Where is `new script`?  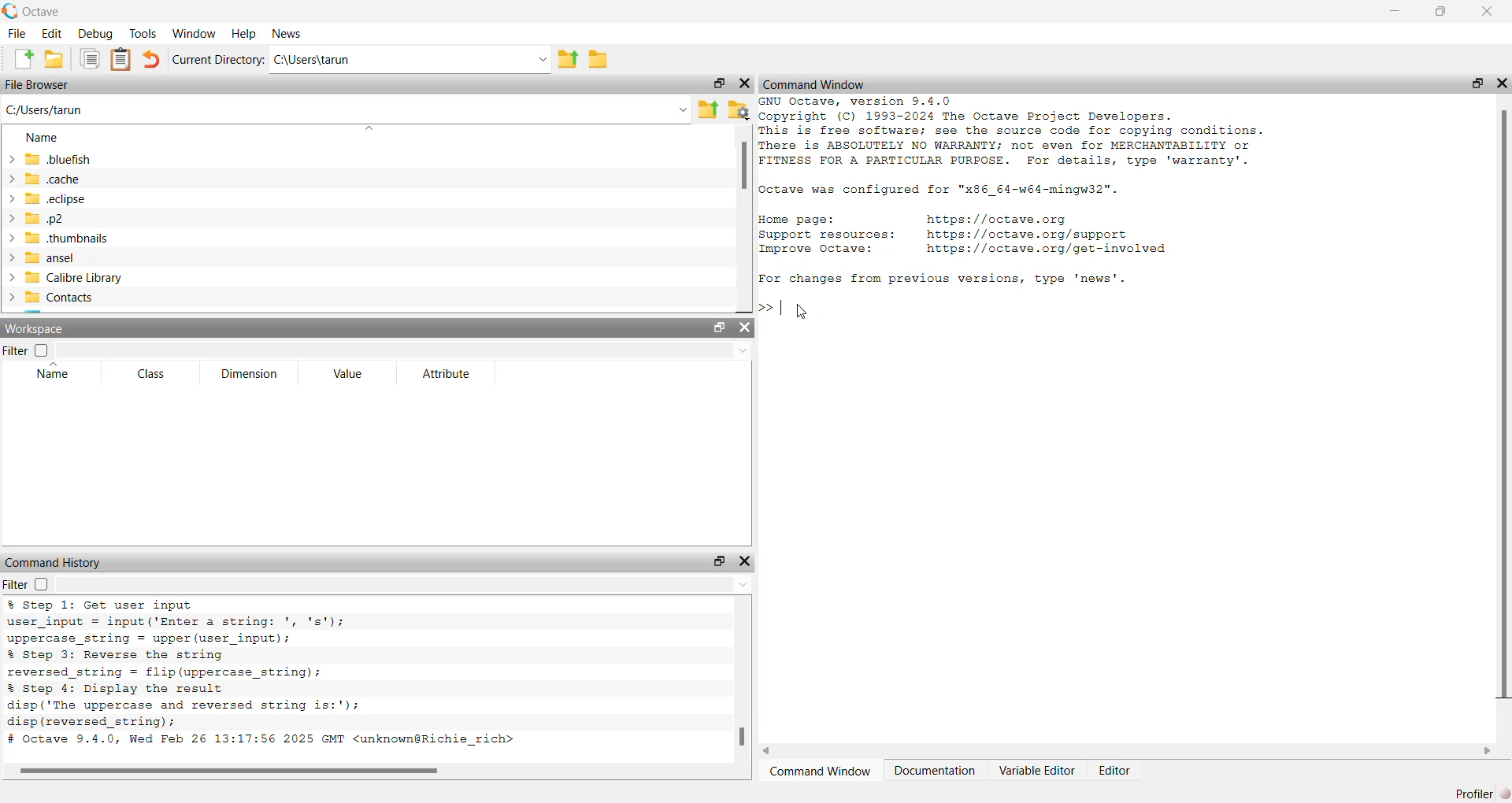
new script is located at coordinates (20, 60).